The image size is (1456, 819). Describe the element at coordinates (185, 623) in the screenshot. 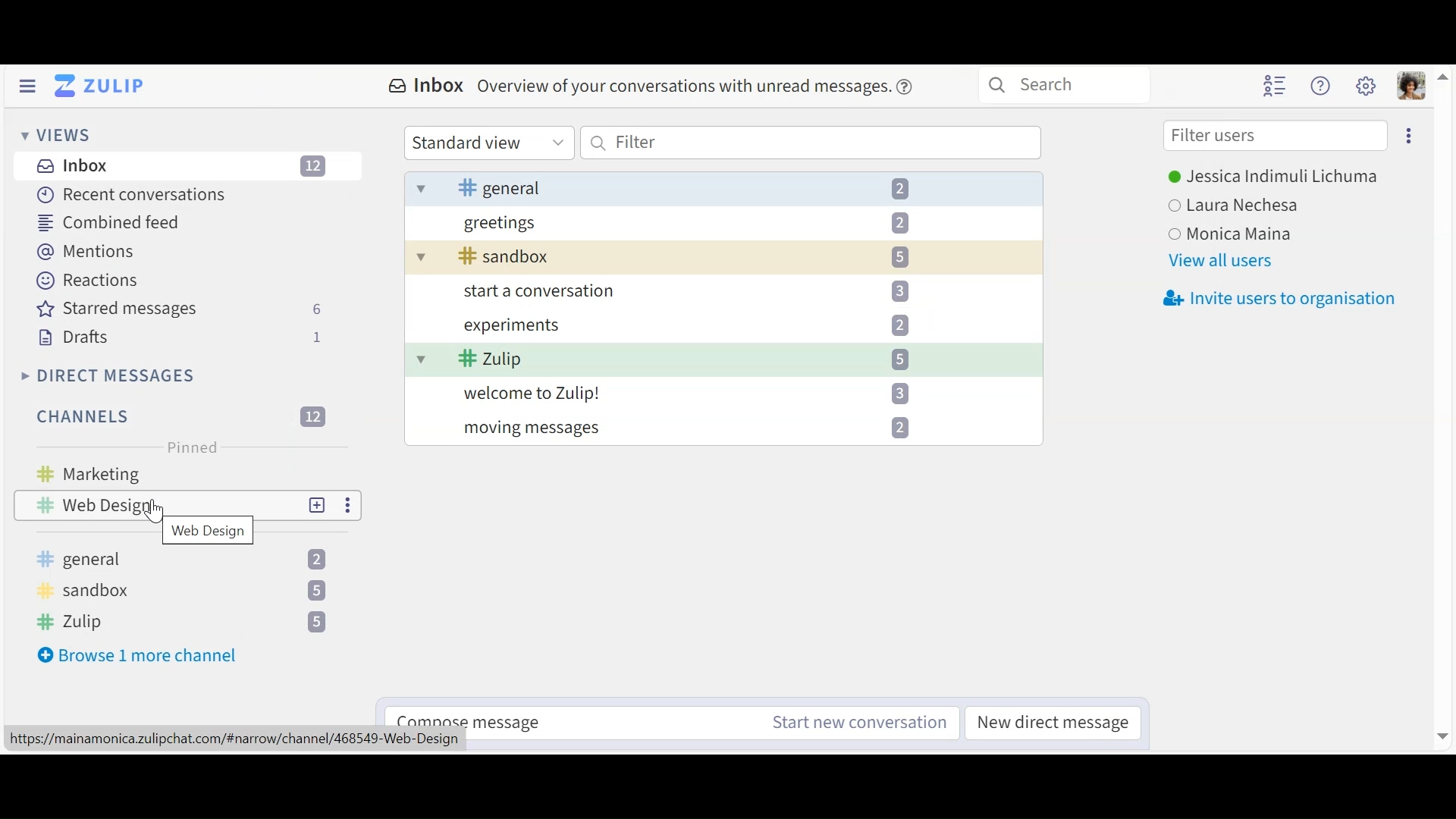

I see `Zulip` at that location.